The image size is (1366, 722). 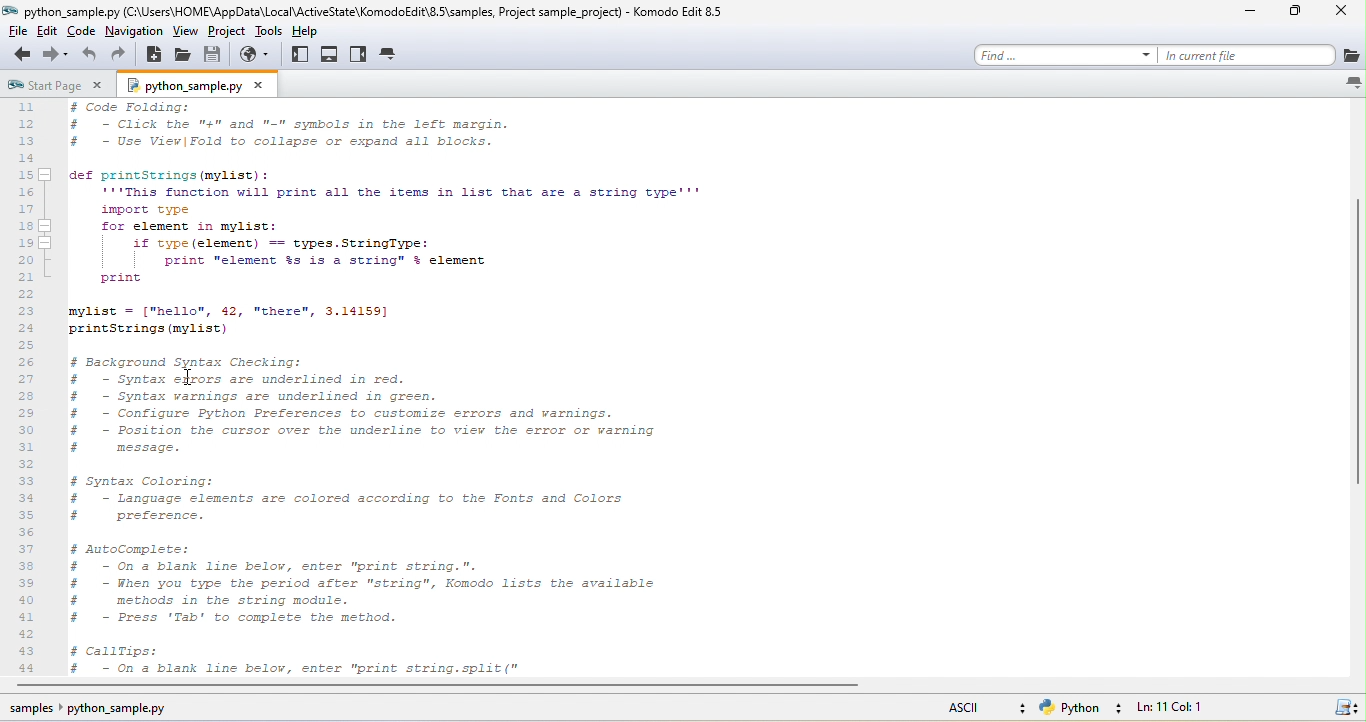 I want to click on in current file, so click(x=1263, y=54).